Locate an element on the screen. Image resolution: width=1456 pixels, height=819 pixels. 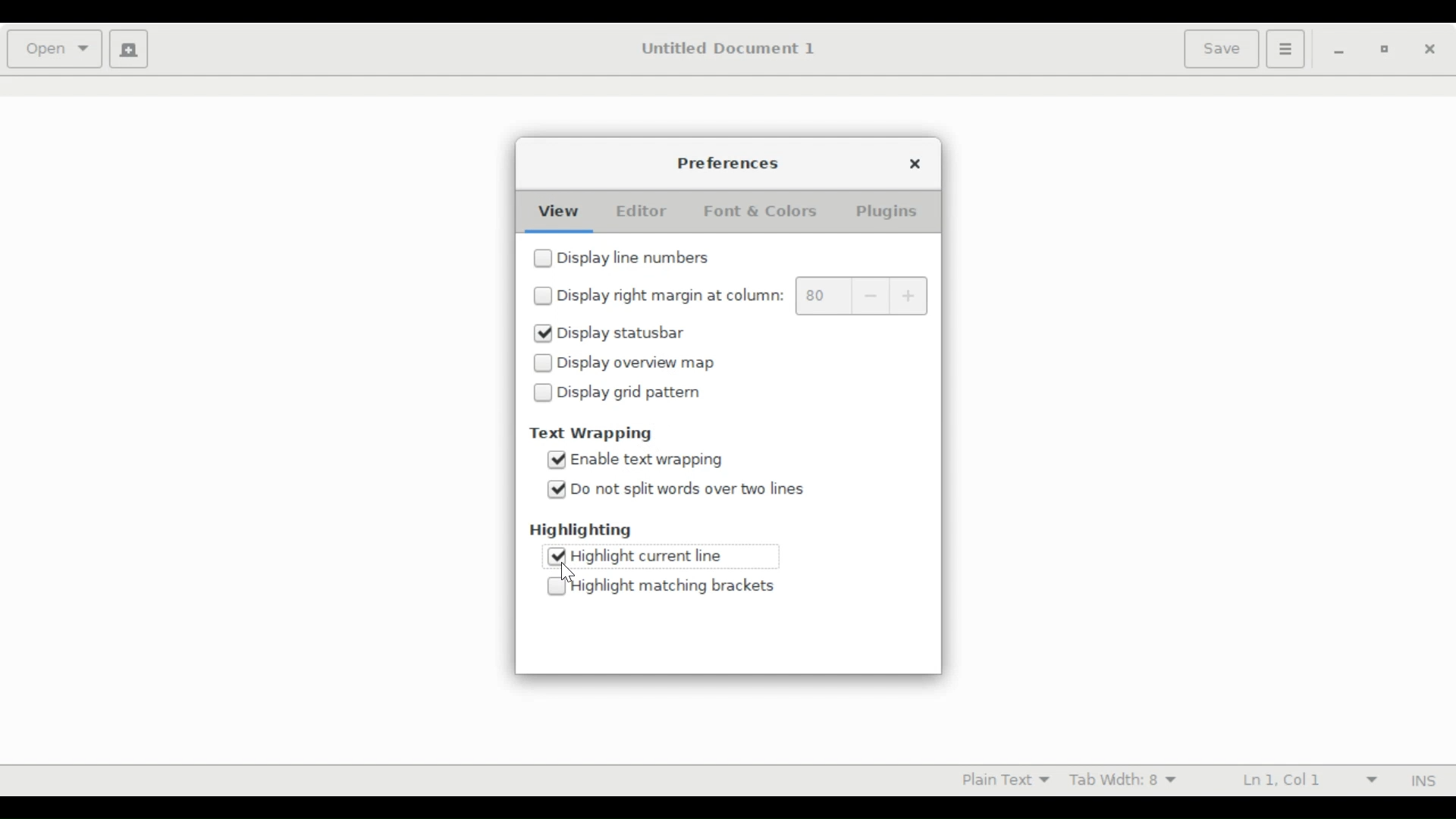
checked checkbox is located at coordinates (555, 460).